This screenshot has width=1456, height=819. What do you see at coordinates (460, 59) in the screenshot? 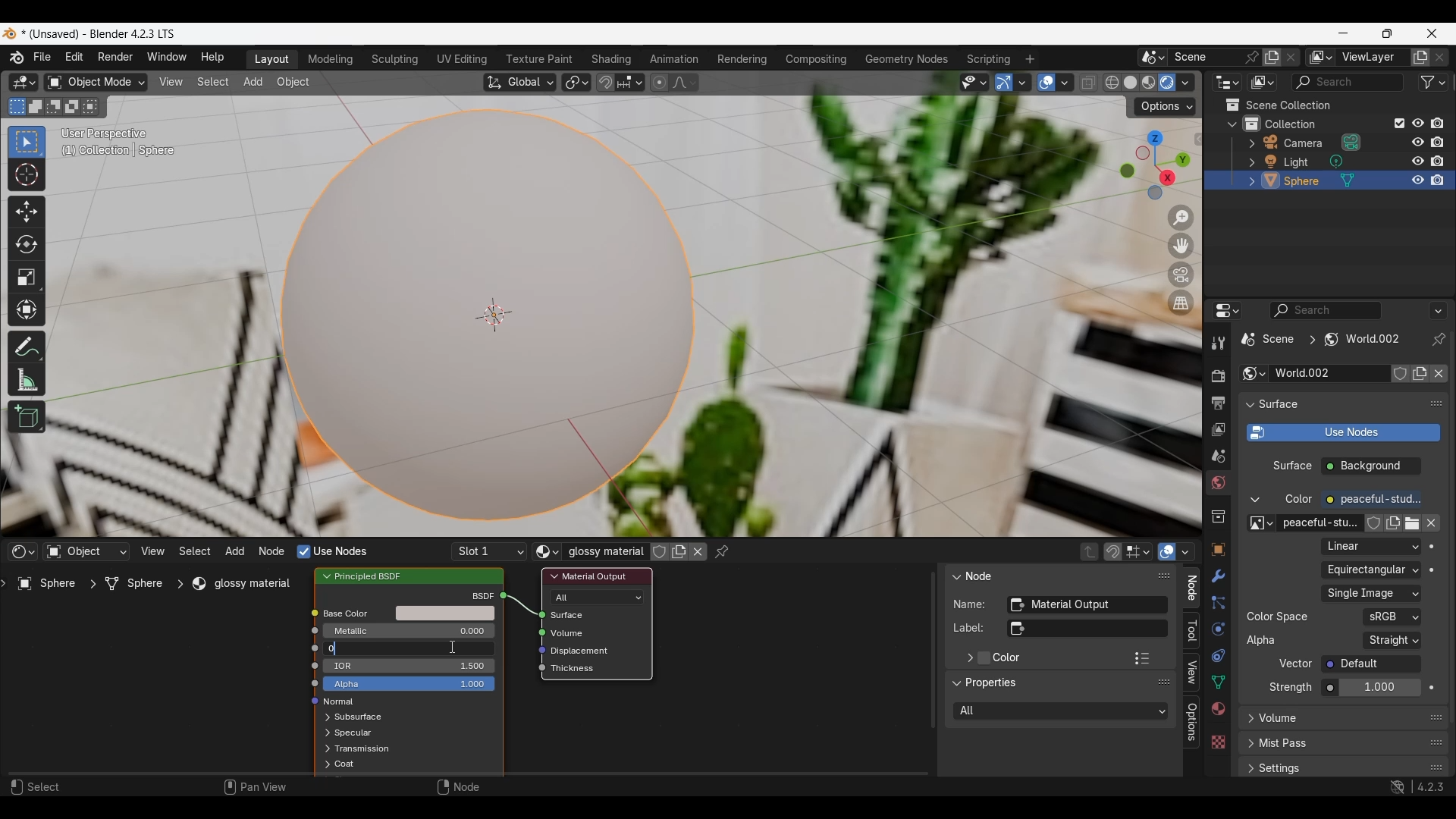
I see `UV editing workspace` at bounding box center [460, 59].